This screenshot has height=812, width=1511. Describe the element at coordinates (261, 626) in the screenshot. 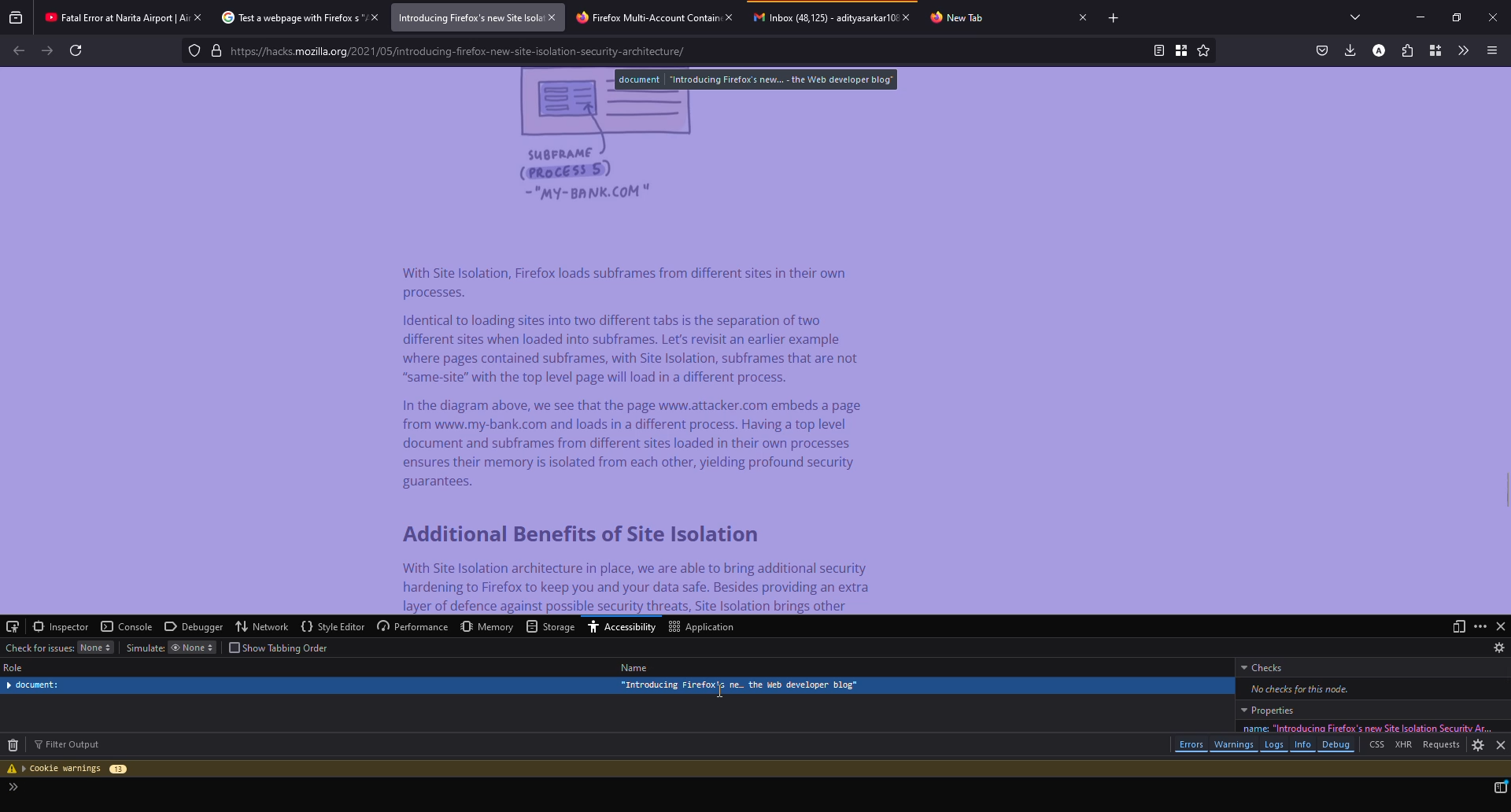

I see `network` at that location.